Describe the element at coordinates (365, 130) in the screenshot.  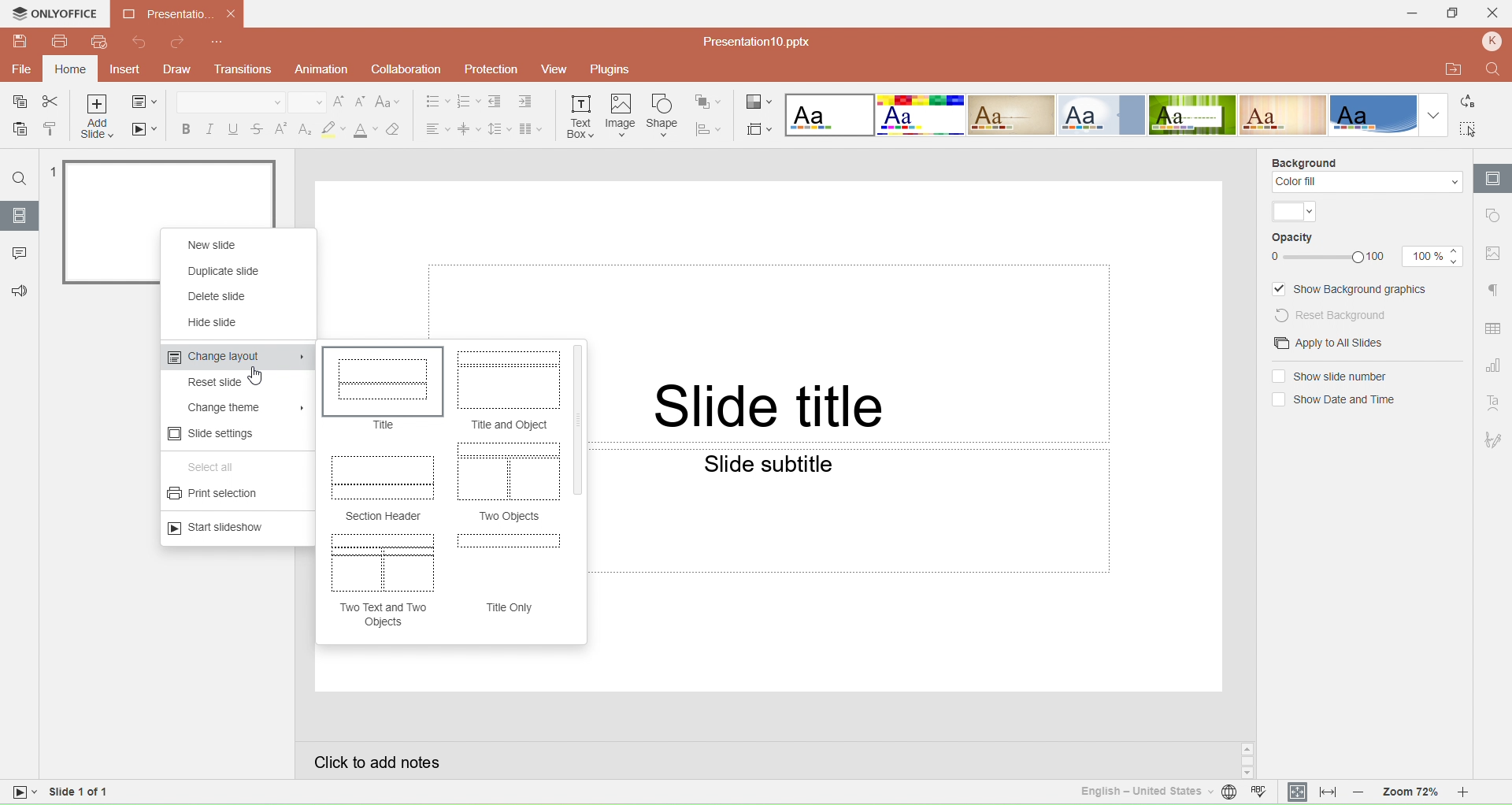
I see `Font color` at that location.